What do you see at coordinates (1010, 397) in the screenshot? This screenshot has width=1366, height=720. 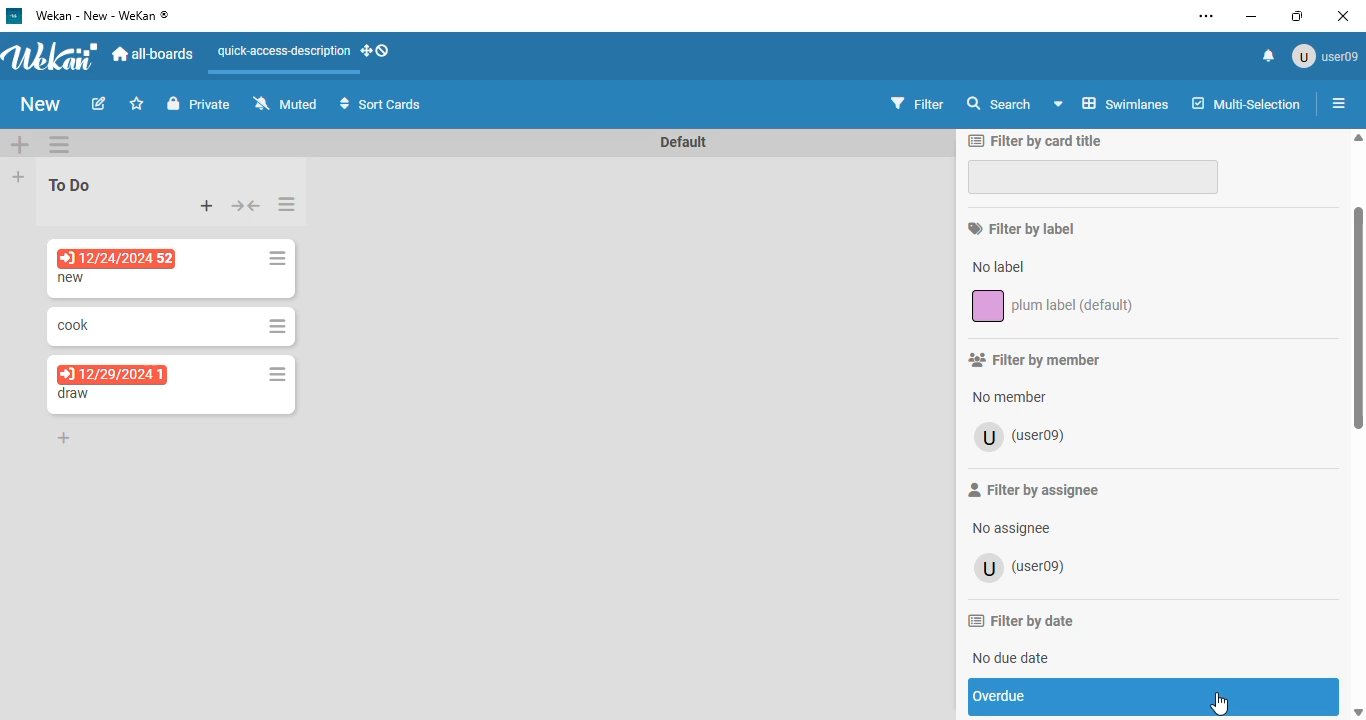 I see `no member` at bounding box center [1010, 397].